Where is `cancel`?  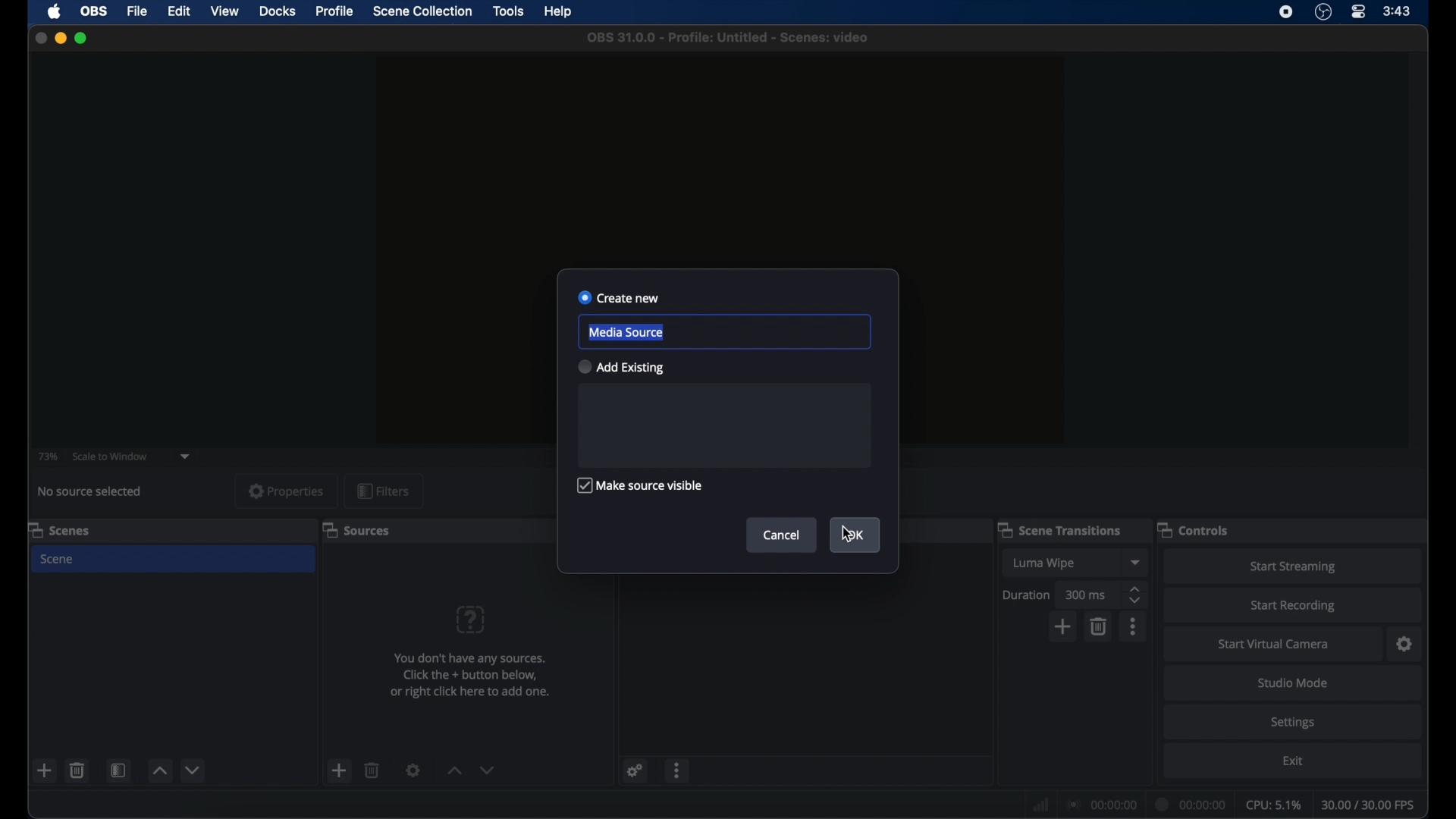
cancel is located at coordinates (783, 535).